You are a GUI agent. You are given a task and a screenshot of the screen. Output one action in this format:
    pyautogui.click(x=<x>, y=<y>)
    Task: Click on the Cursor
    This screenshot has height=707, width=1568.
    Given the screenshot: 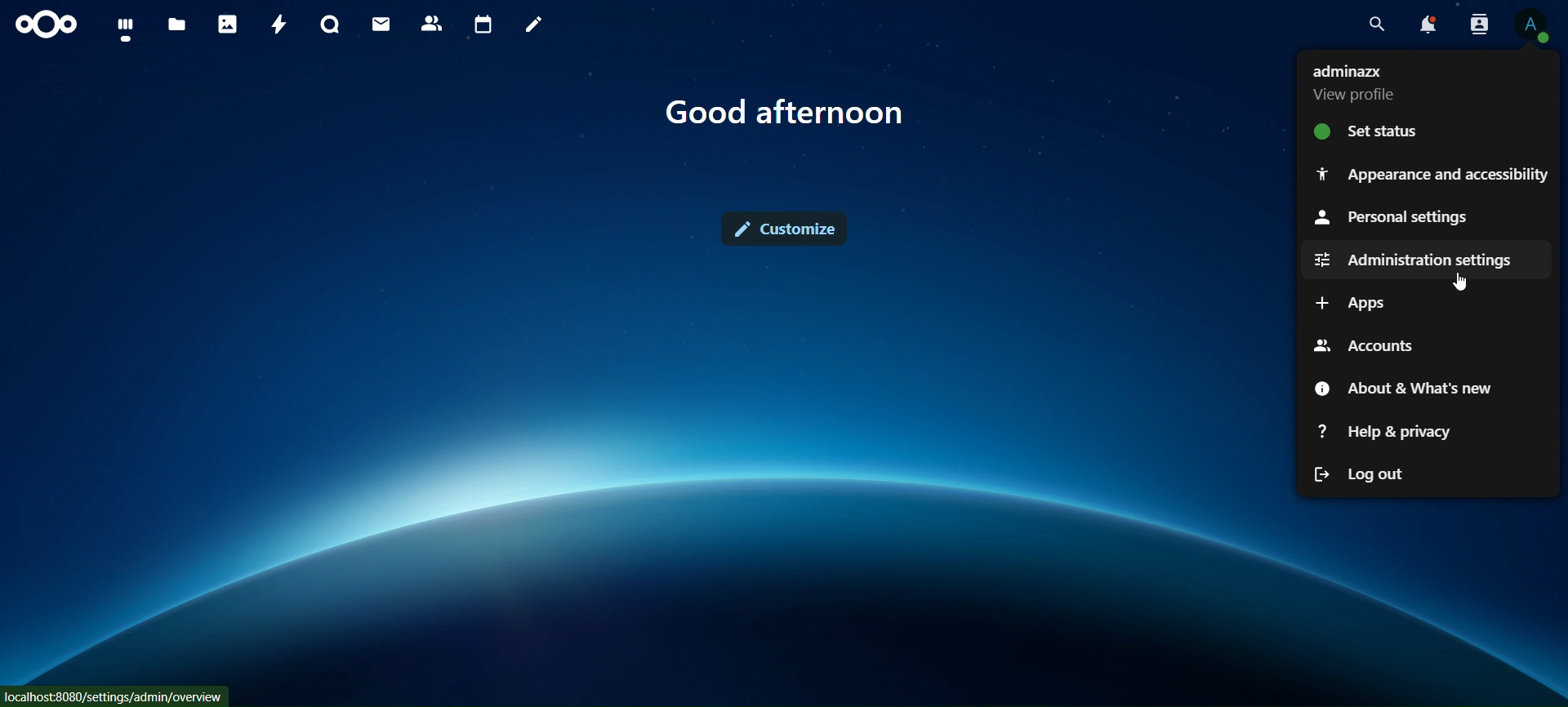 What is the action you would take?
    pyautogui.click(x=1464, y=282)
    